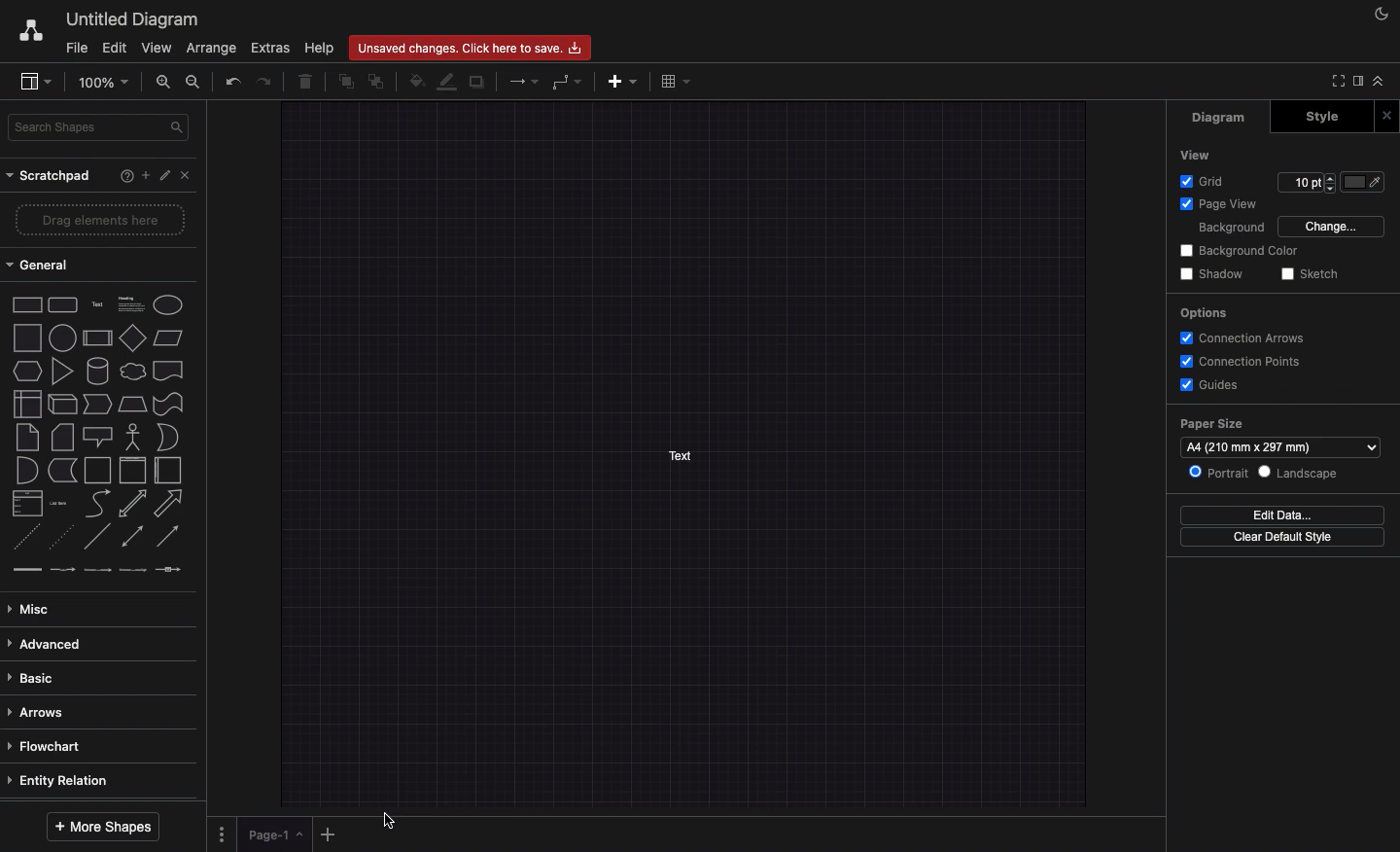 This screenshot has width=1400, height=852. I want to click on Close, so click(1386, 115).